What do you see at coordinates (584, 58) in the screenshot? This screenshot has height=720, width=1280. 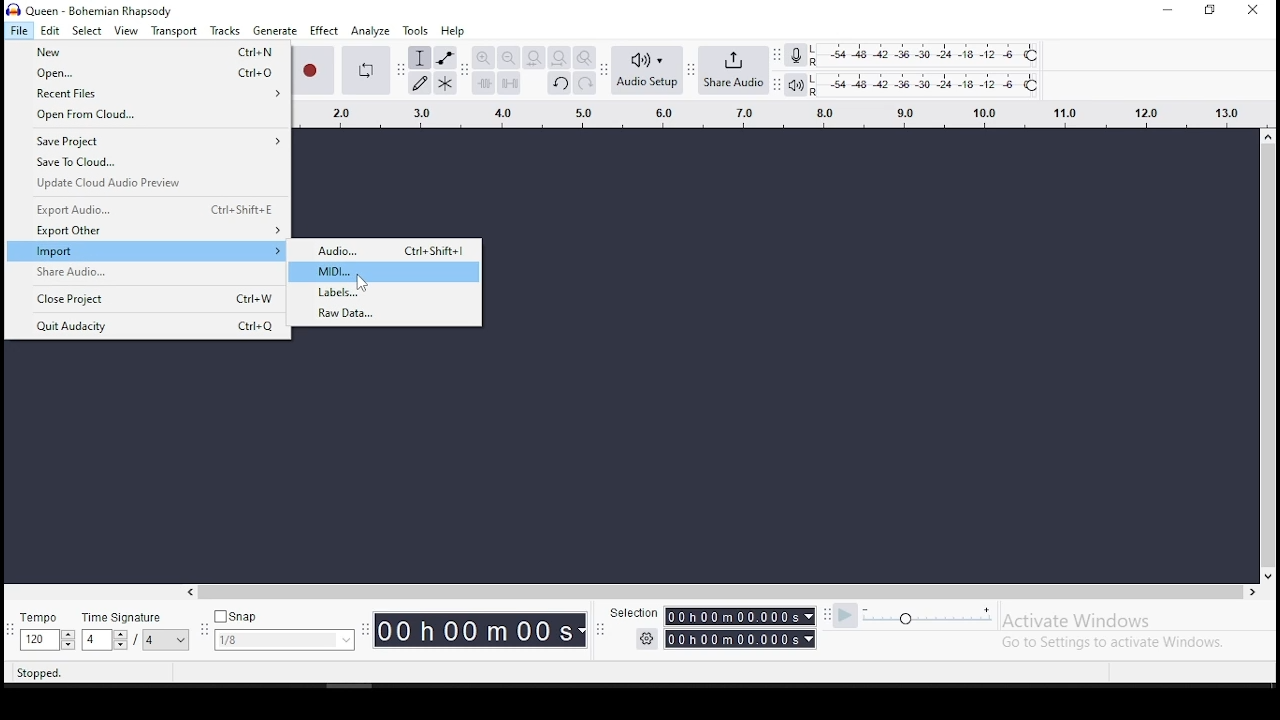 I see `zoom toggle` at bounding box center [584, 58].